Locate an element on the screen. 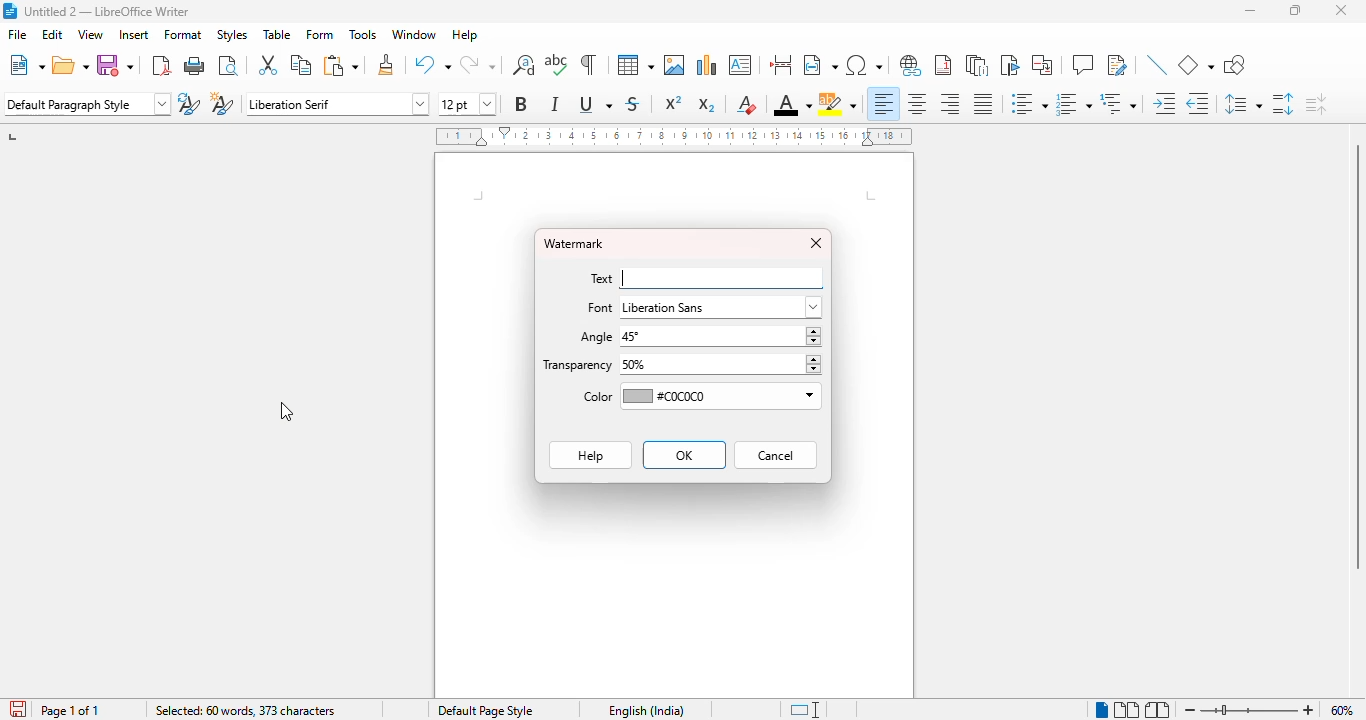 This screenshot has height=720, width=1366. font size is located at coordinates (466, 104).